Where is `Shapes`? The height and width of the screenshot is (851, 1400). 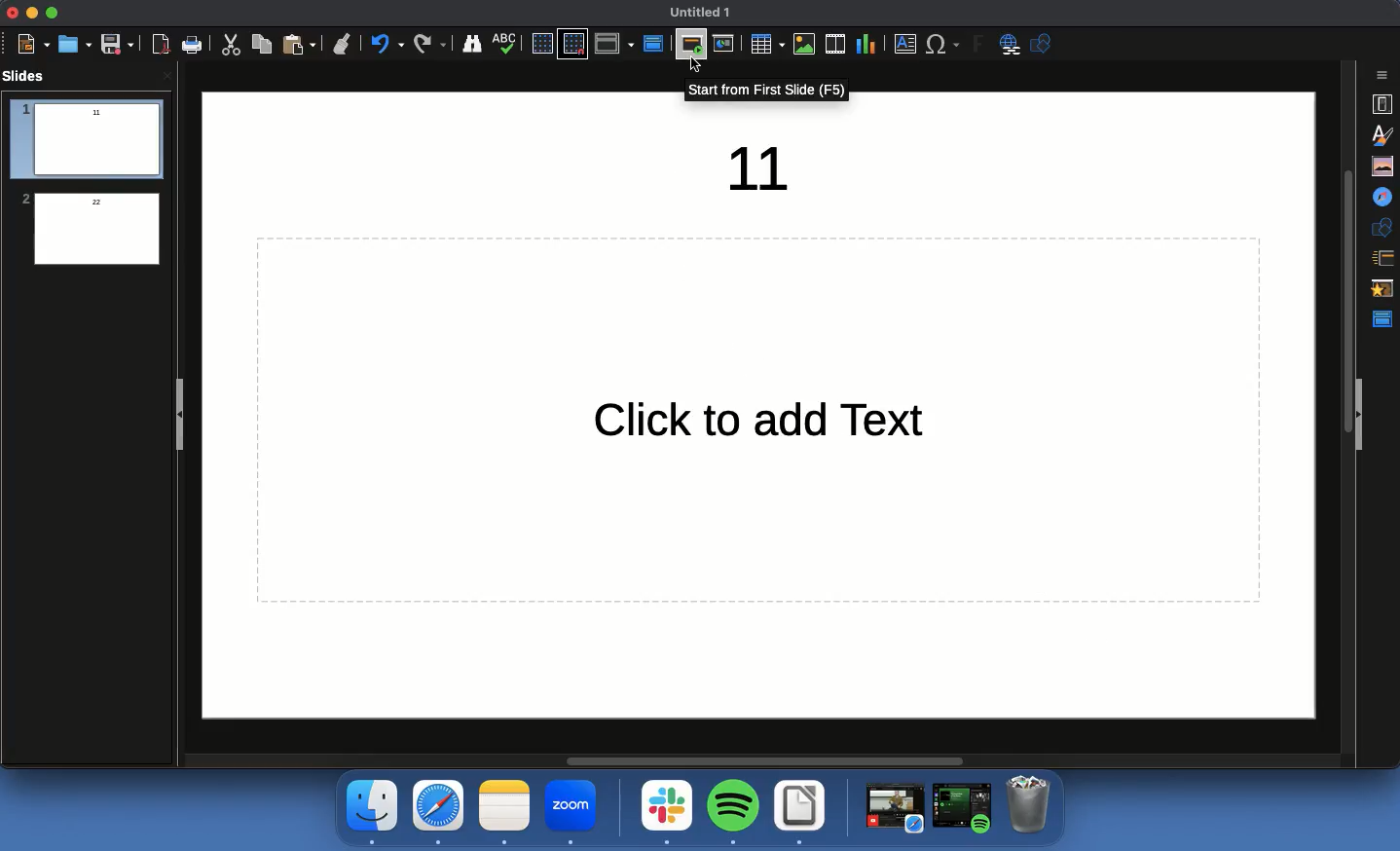 Shapes is located at coordinates (1384, 228).